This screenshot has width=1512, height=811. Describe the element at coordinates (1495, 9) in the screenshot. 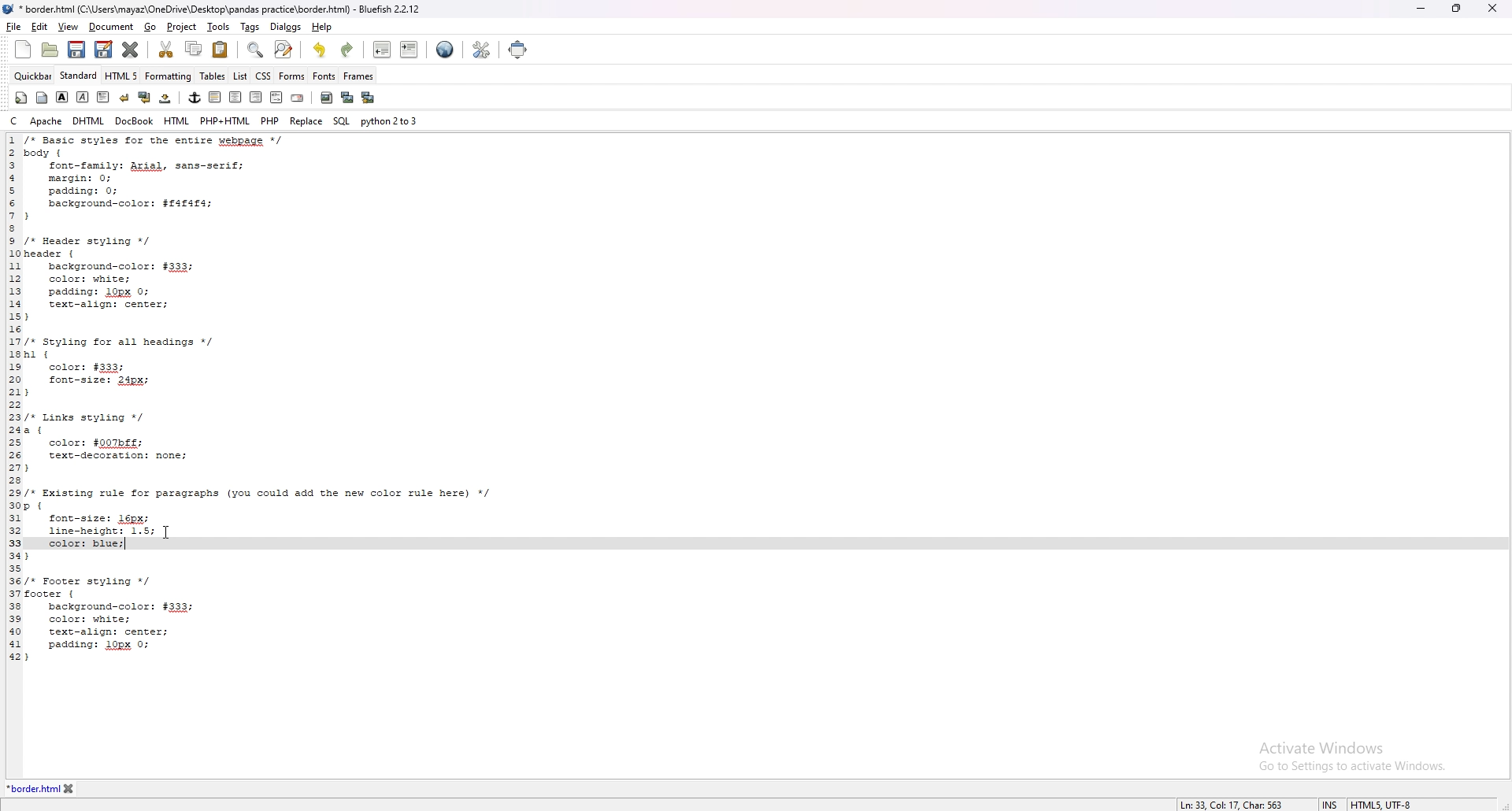

I see `close` at that location.